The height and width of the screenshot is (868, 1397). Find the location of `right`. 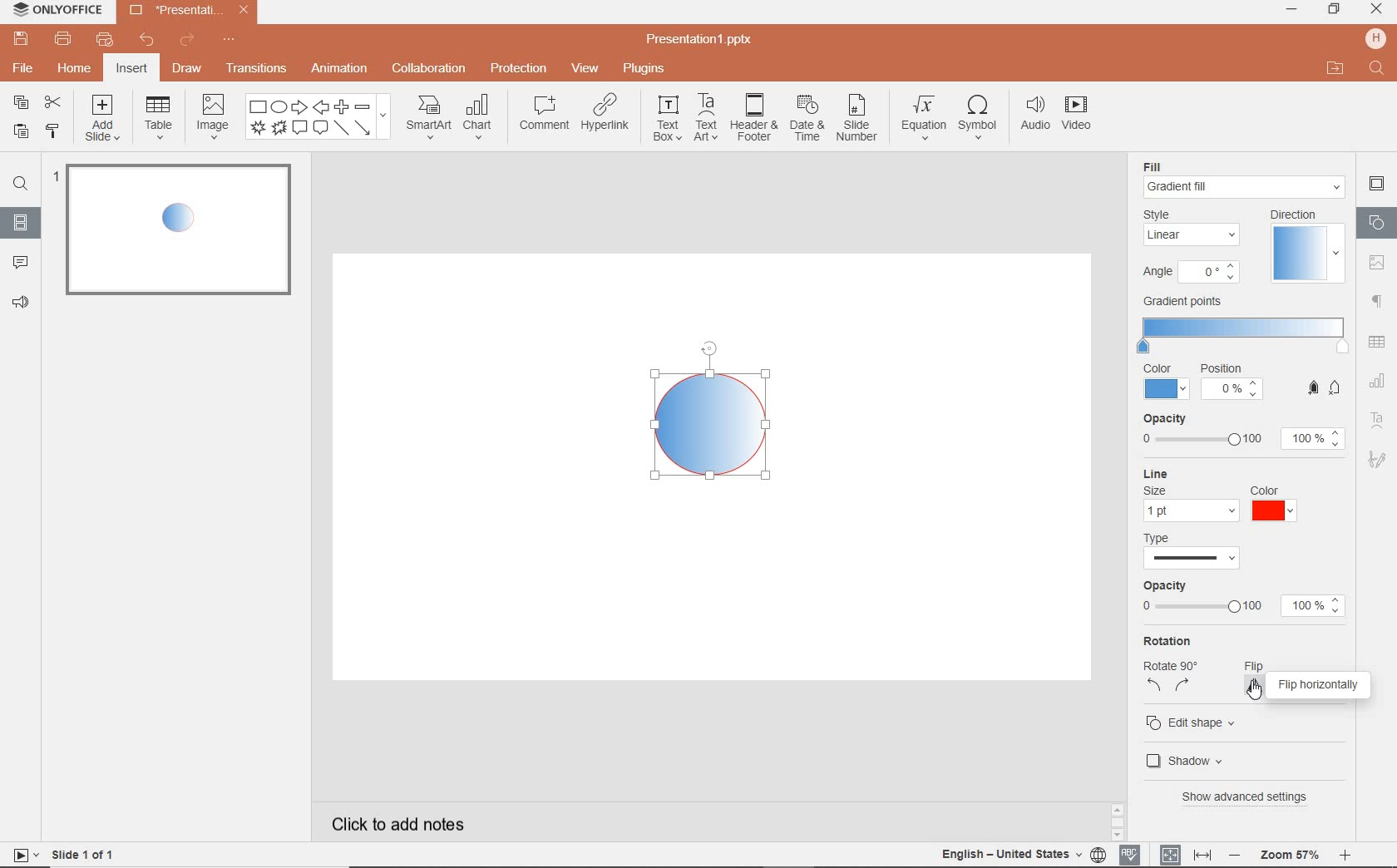

right is located at coordinates (1183, 687).